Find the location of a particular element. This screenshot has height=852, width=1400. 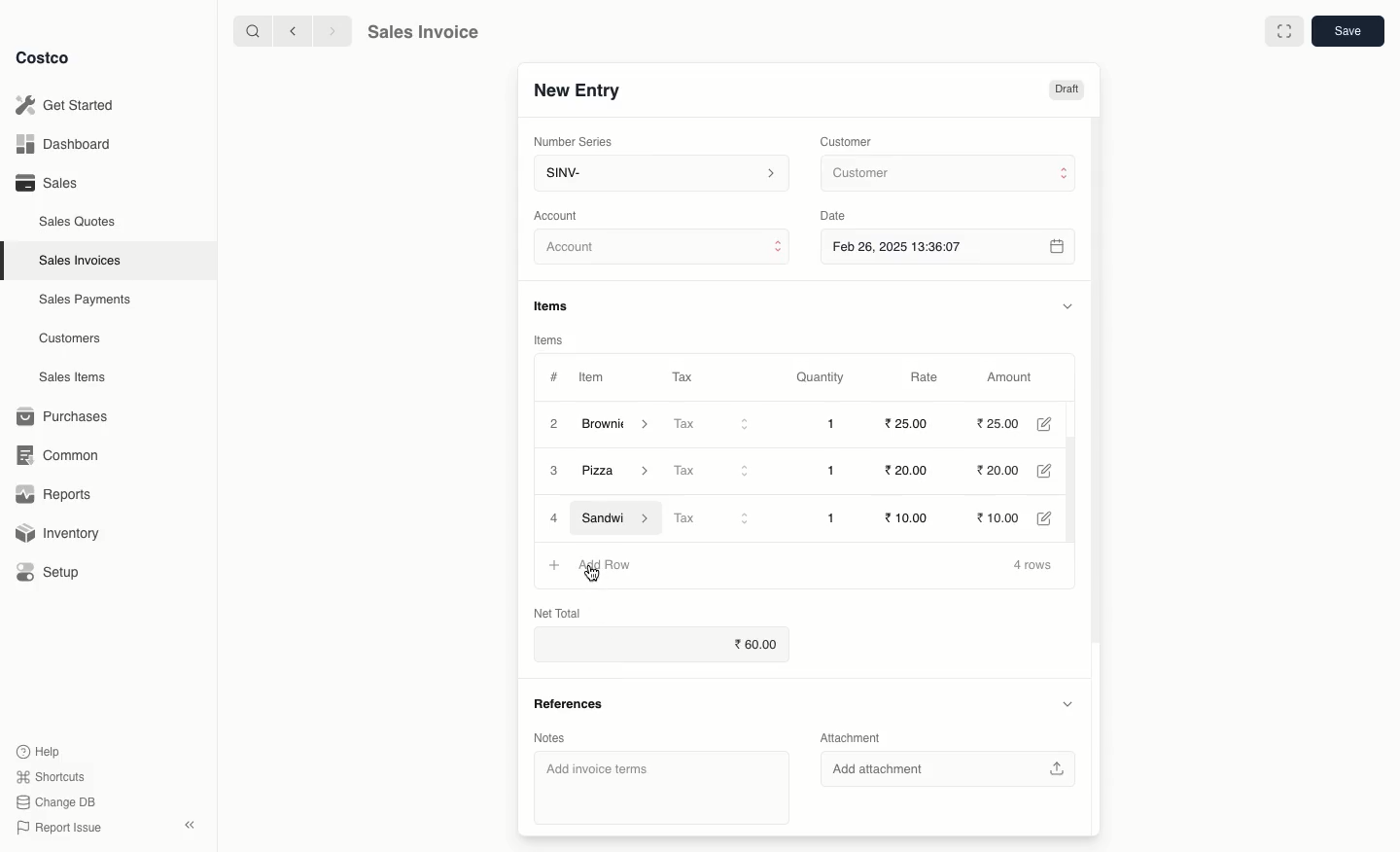

Sales Items is located at coordinates (77, 377).